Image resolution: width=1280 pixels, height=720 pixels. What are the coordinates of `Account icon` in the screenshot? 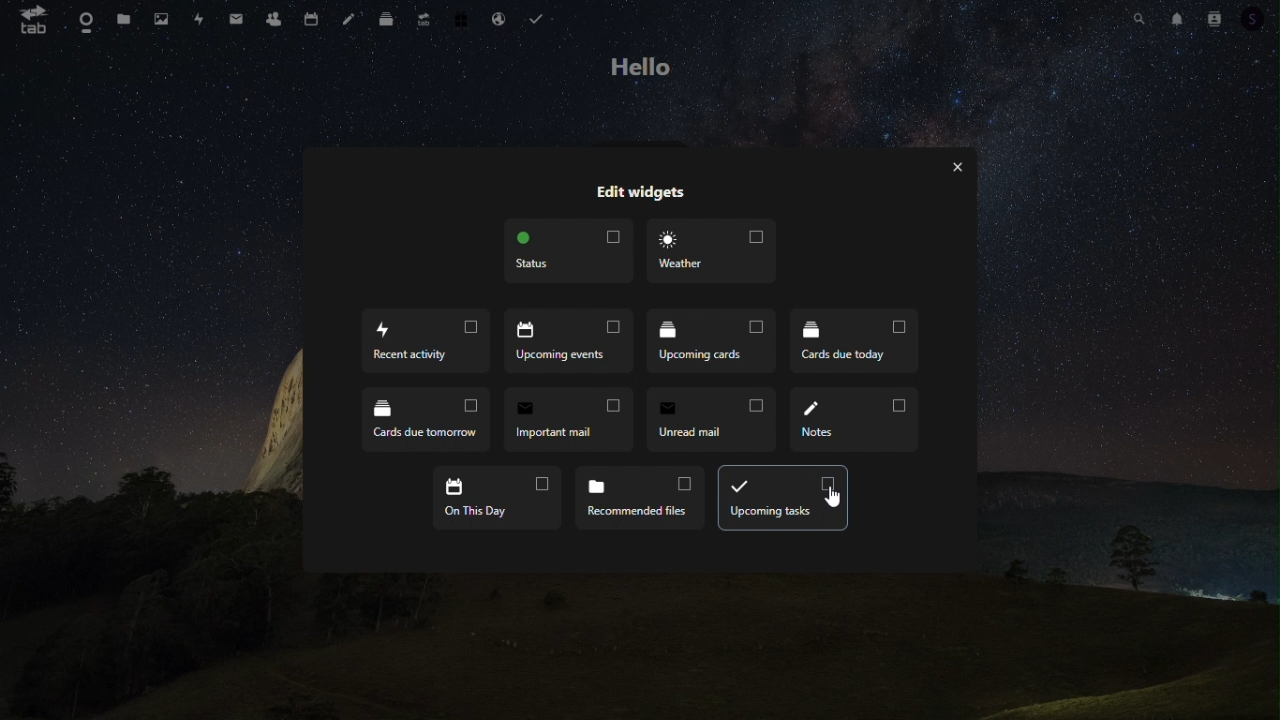 It's located at (1213, 19).